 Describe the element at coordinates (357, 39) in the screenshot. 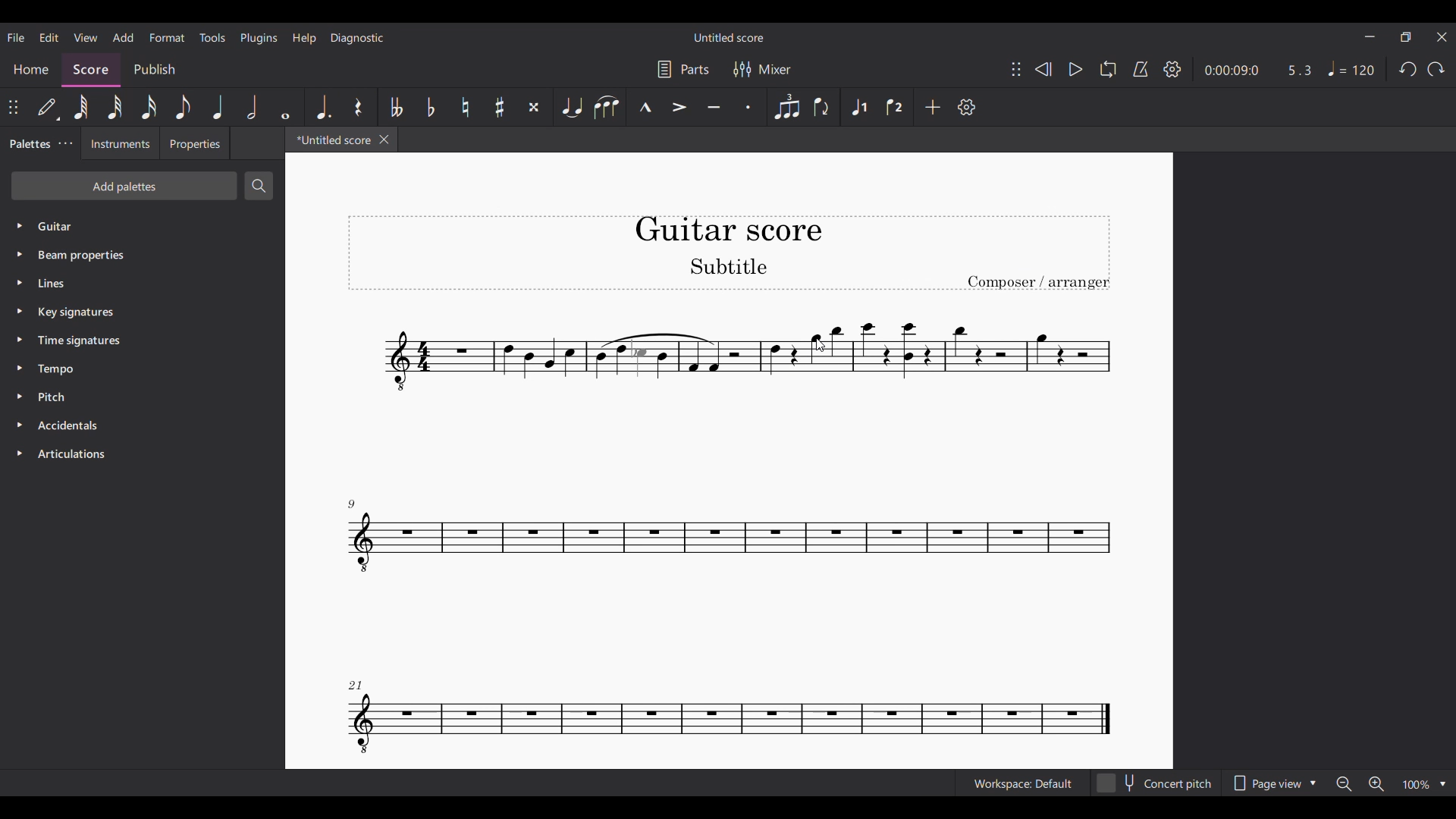

I see `Diagnostic menu` at that location.